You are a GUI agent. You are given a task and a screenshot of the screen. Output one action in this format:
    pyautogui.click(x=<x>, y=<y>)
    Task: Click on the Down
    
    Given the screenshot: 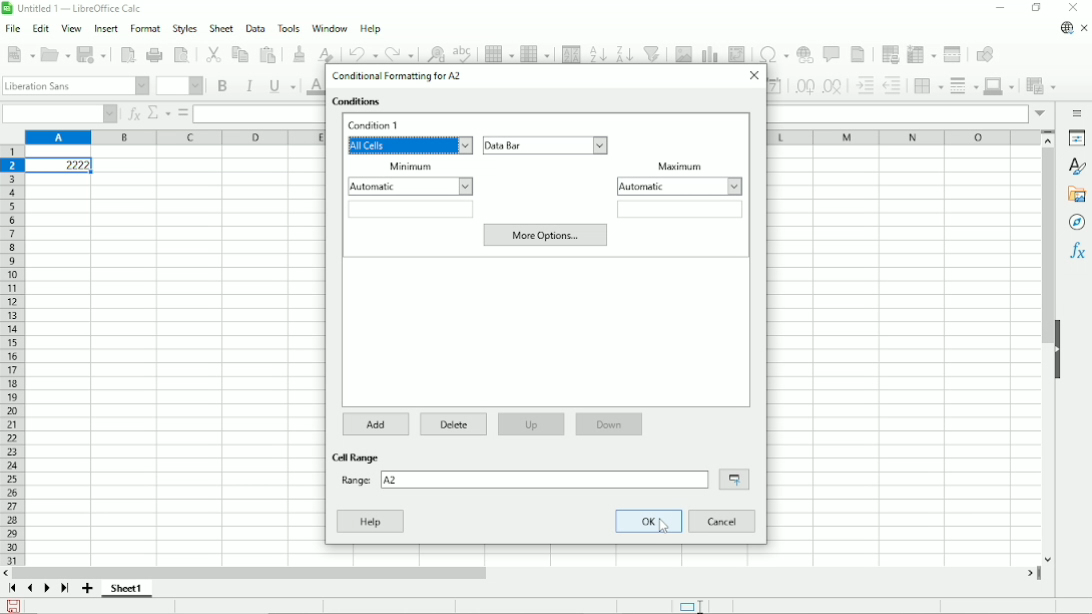 What is the action you would take?
    pyautogui.click(x=610, y=424)
    